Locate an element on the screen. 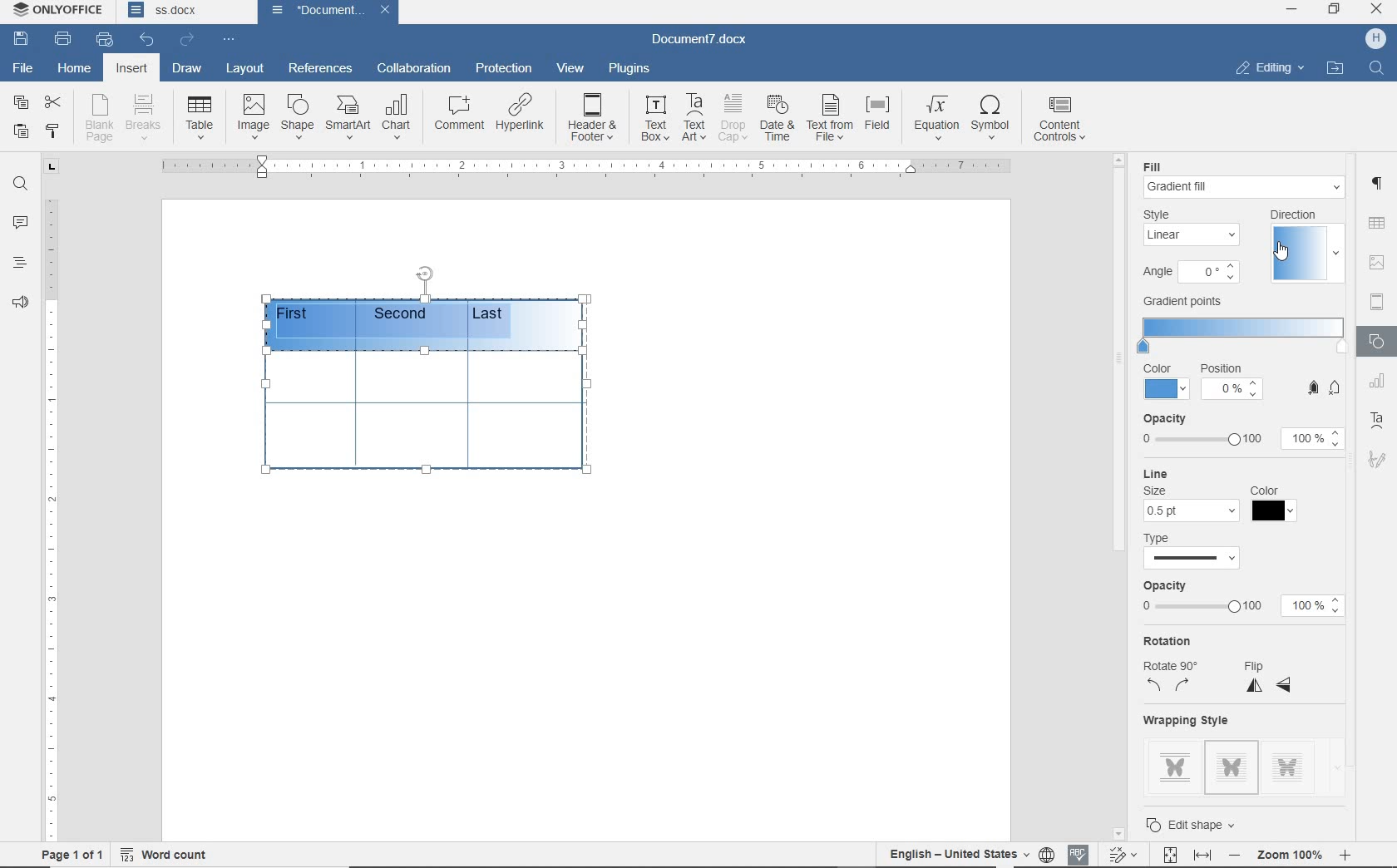 The image size is (1397, 868). draw is located at coordinates (185, 68).